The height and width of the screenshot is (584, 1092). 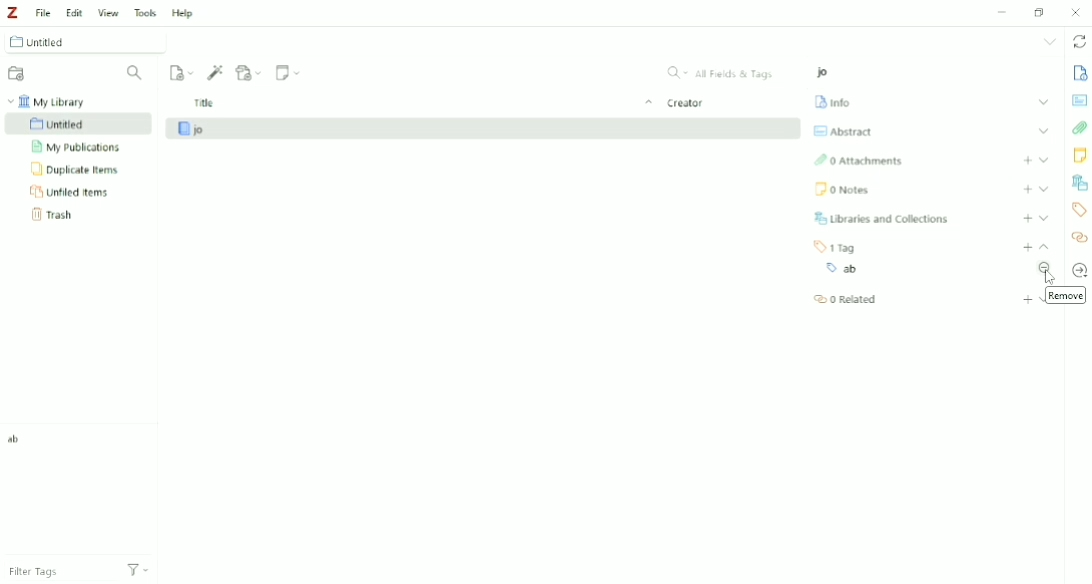 What do you see at coordinates (1044, 189) in the screenshot?
I see `Expand section` at bounding box center [1044, 189].